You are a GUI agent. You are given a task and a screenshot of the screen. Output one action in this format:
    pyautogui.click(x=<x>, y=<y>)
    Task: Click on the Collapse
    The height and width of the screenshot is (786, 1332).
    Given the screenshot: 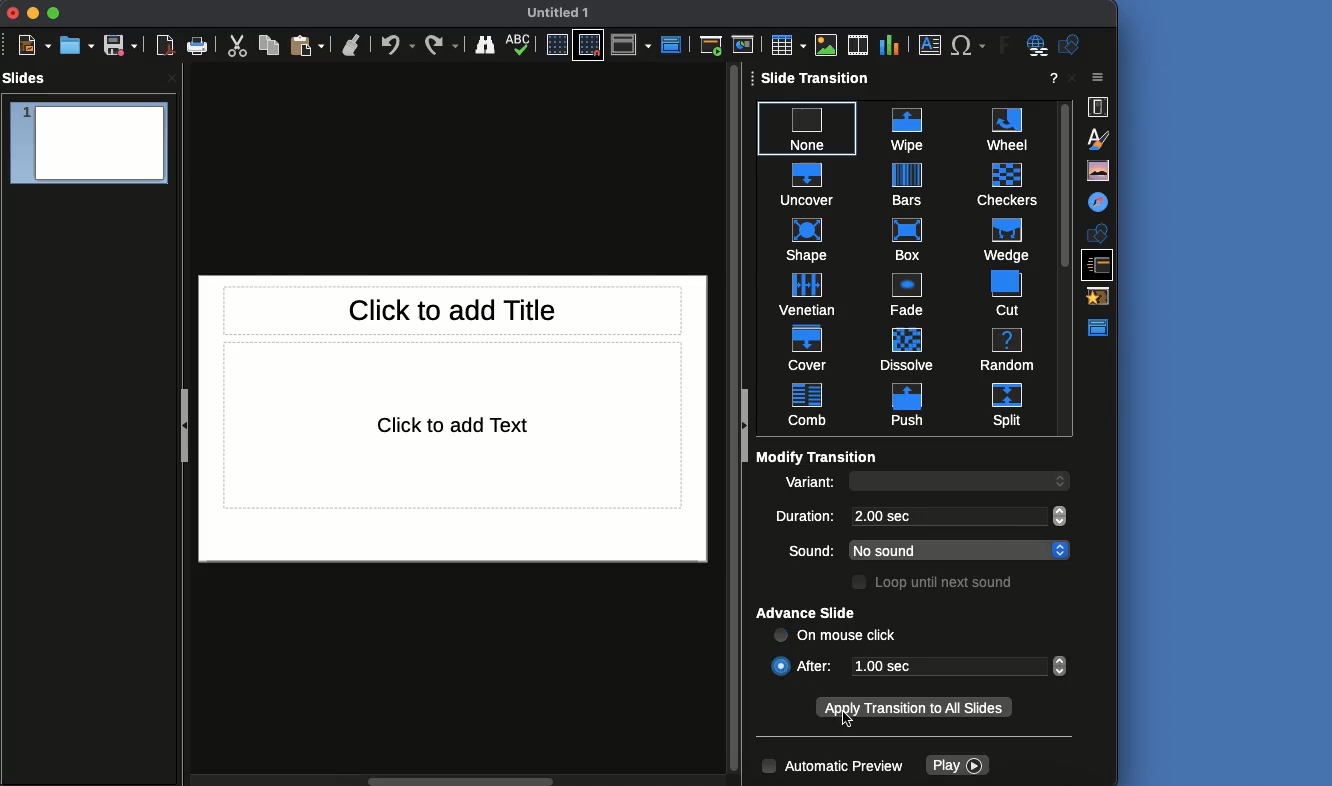 What is the action you would take?
    pyautogui.click(x=748, y=426)
    